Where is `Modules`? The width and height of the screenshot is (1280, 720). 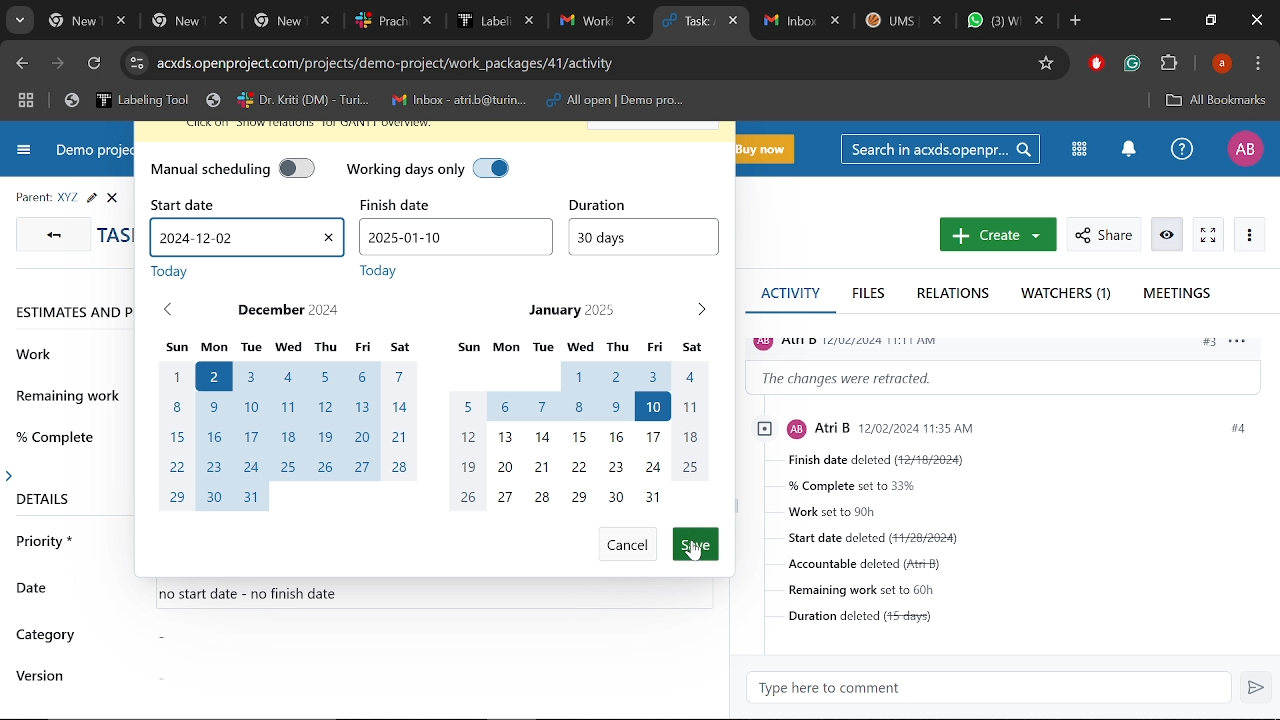
Modules is located at coordinates (1080, 151).